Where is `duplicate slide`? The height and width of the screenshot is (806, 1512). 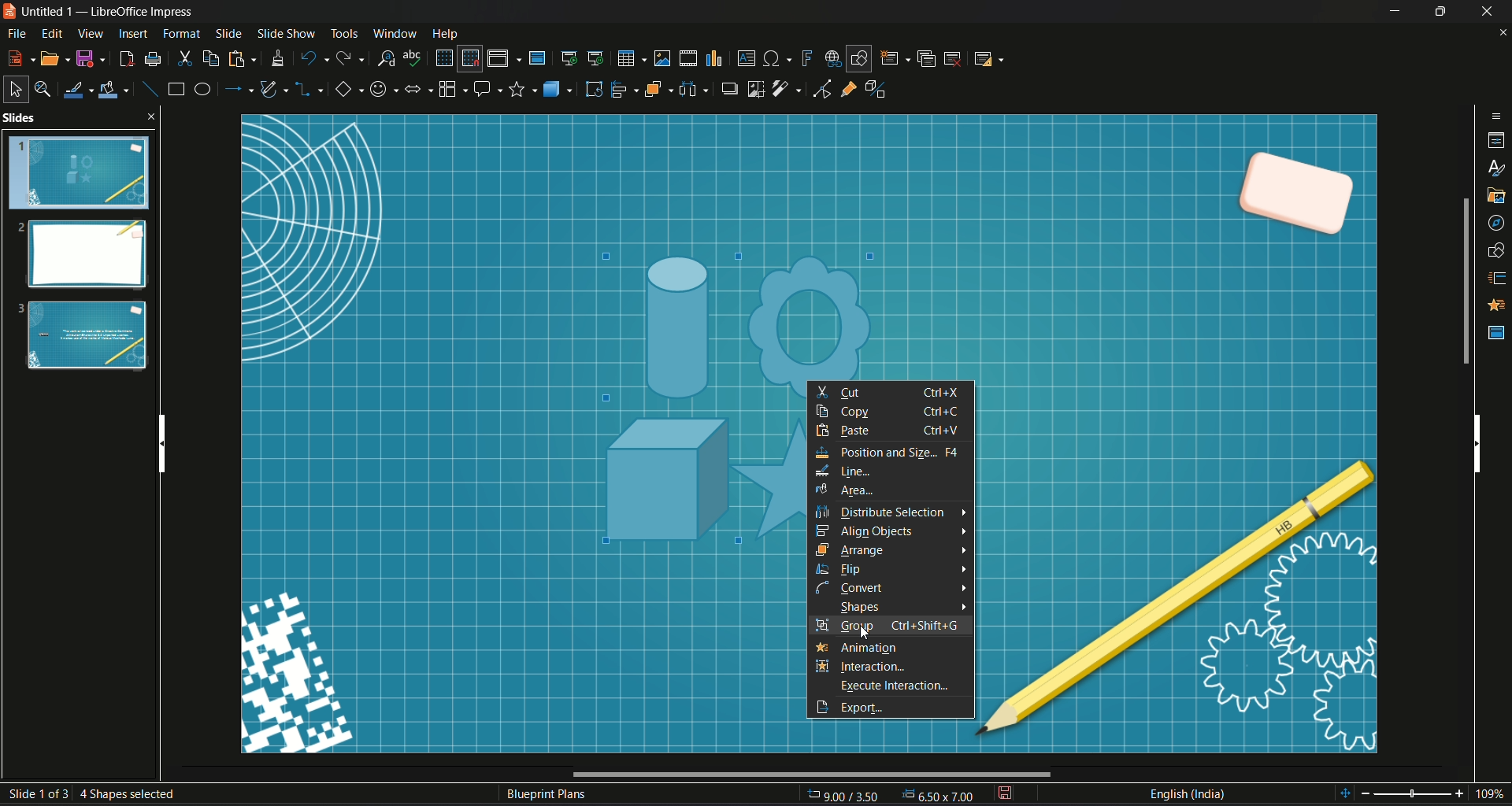 duplicate slide is located at coordinates (927, 58).